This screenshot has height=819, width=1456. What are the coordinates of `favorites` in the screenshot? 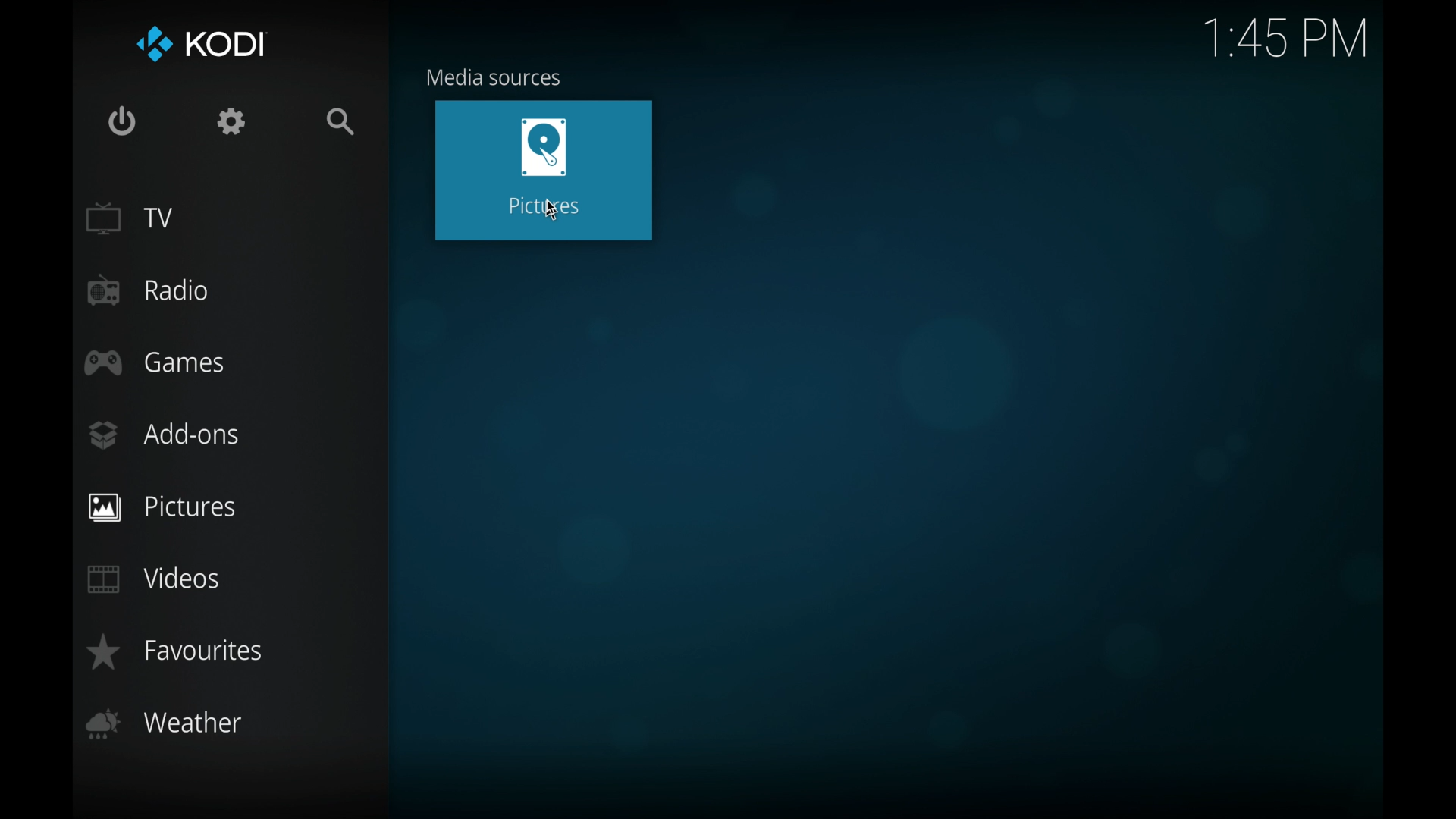 It's located at (172, 651).